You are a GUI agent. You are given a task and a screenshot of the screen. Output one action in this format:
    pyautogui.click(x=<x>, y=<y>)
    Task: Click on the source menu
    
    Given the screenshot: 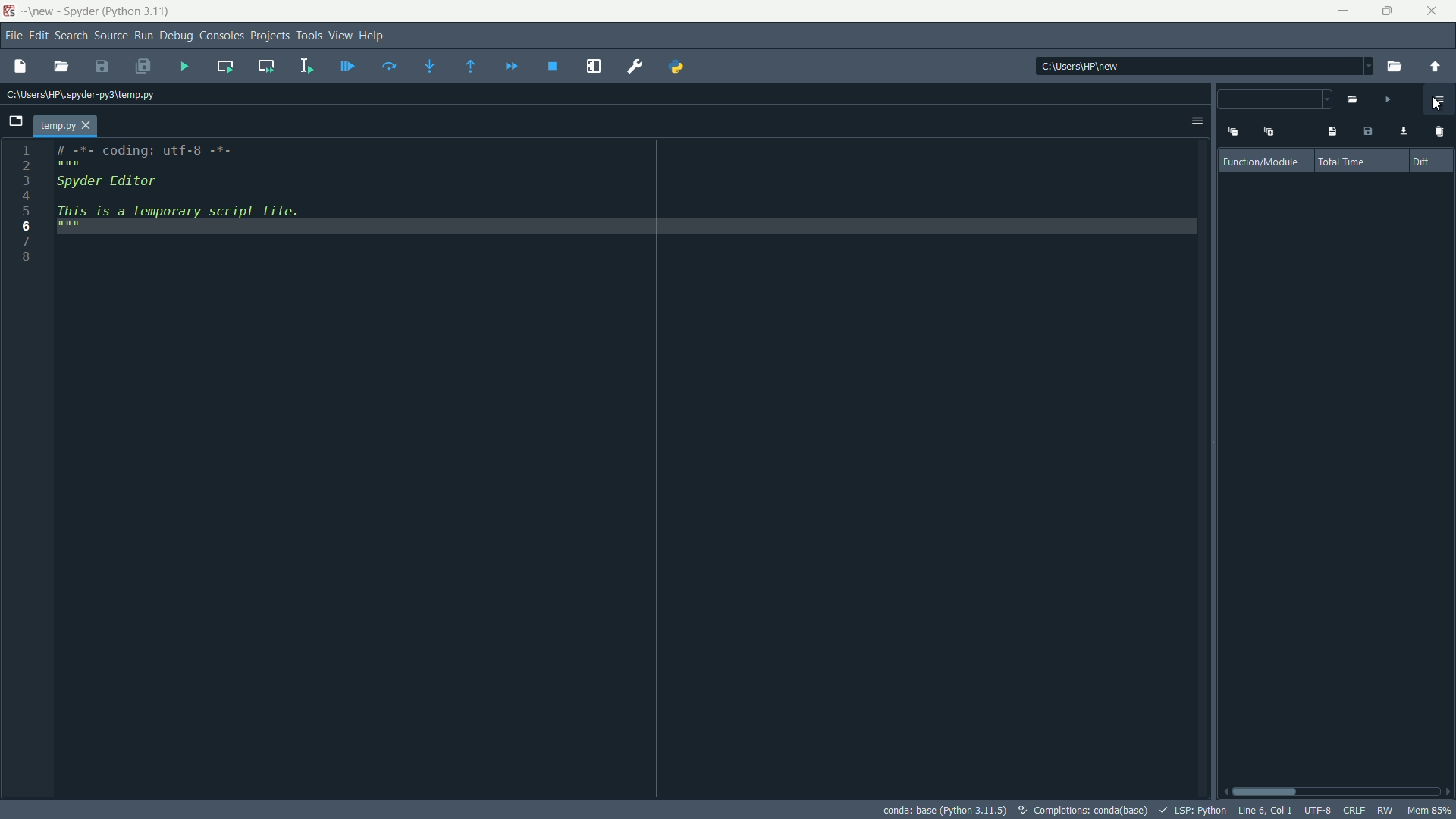 What is the action you would take?
    pyautogui.click(x=108, y=36)
    